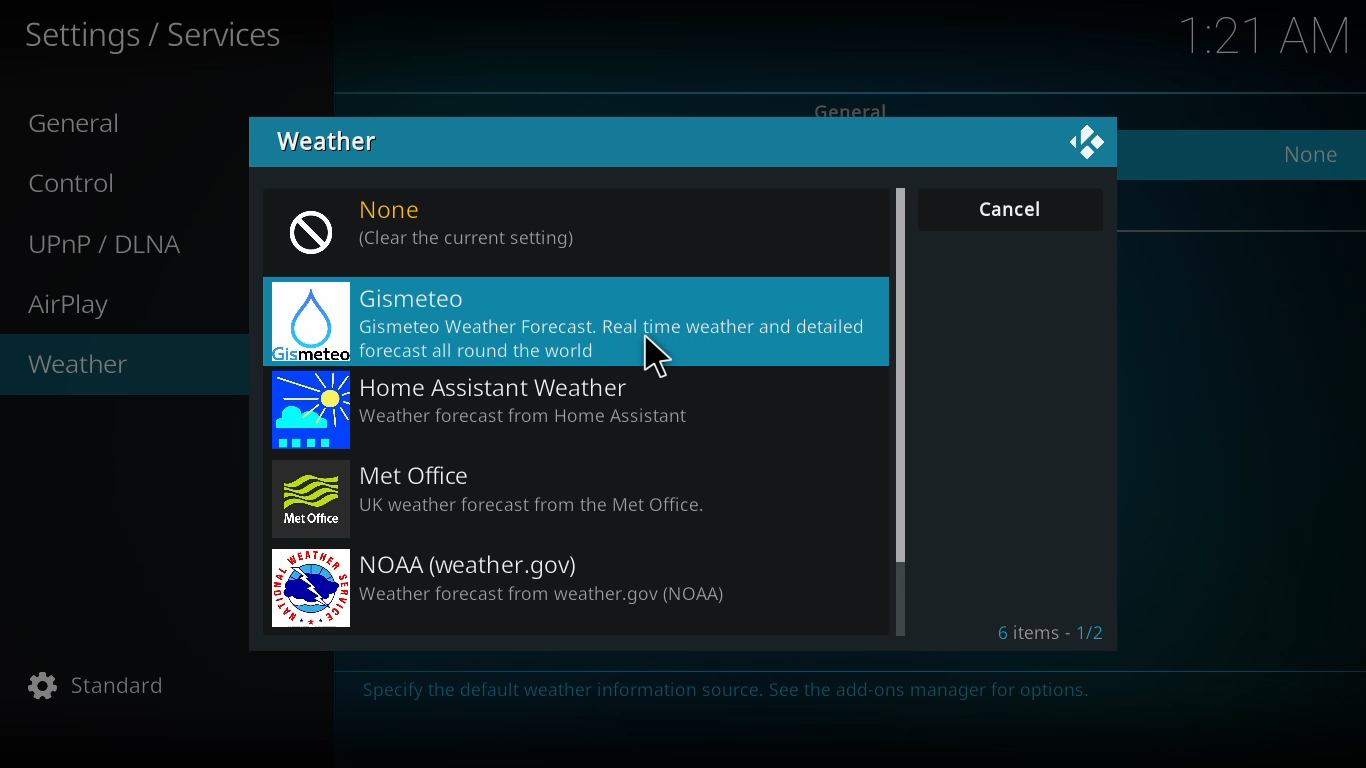  Describe the element at coordinates (900, 374) in the screenshot. I see `scroll bar` at that location.